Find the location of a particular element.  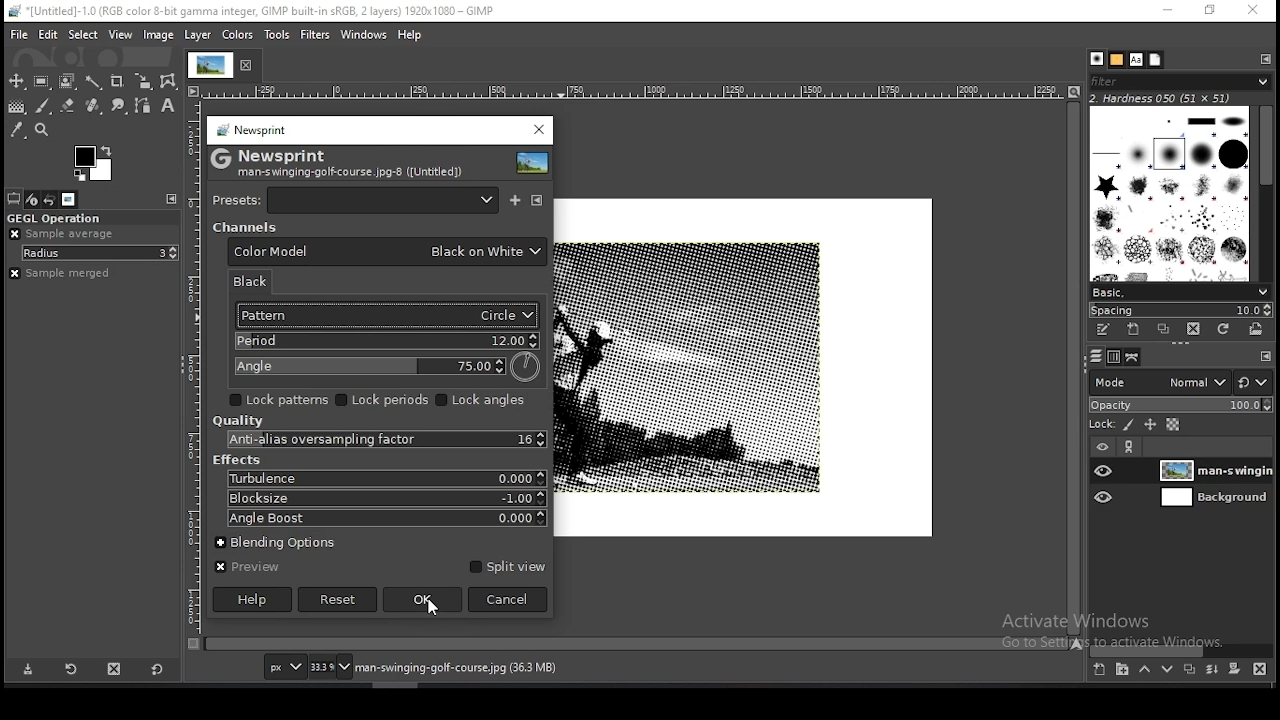

select is located at coordinates (83, 35).